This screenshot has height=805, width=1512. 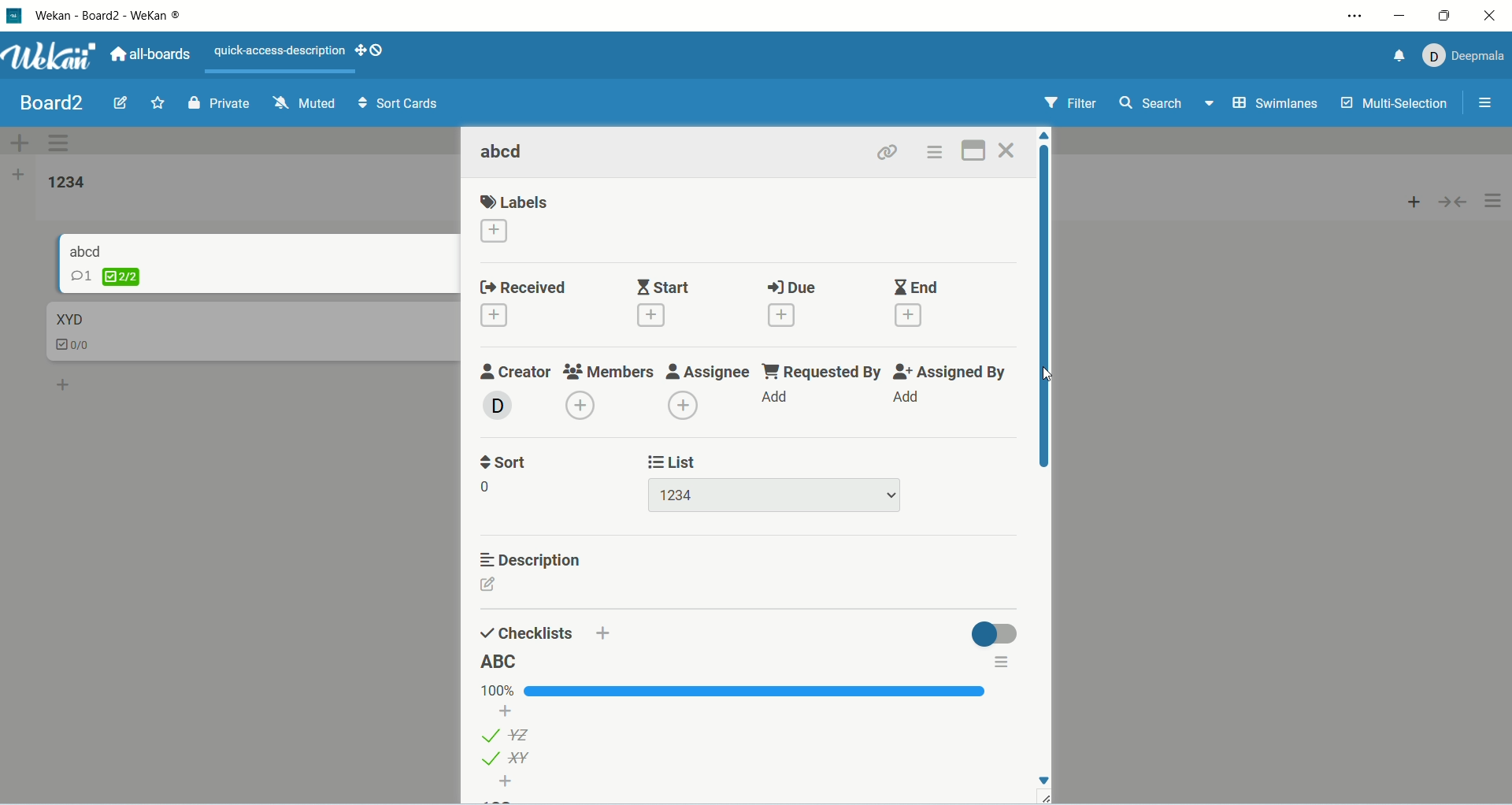 What do you see at coordinates (734, 690) in the screenshot?
I see `progress` at bounding box center [734, 690].